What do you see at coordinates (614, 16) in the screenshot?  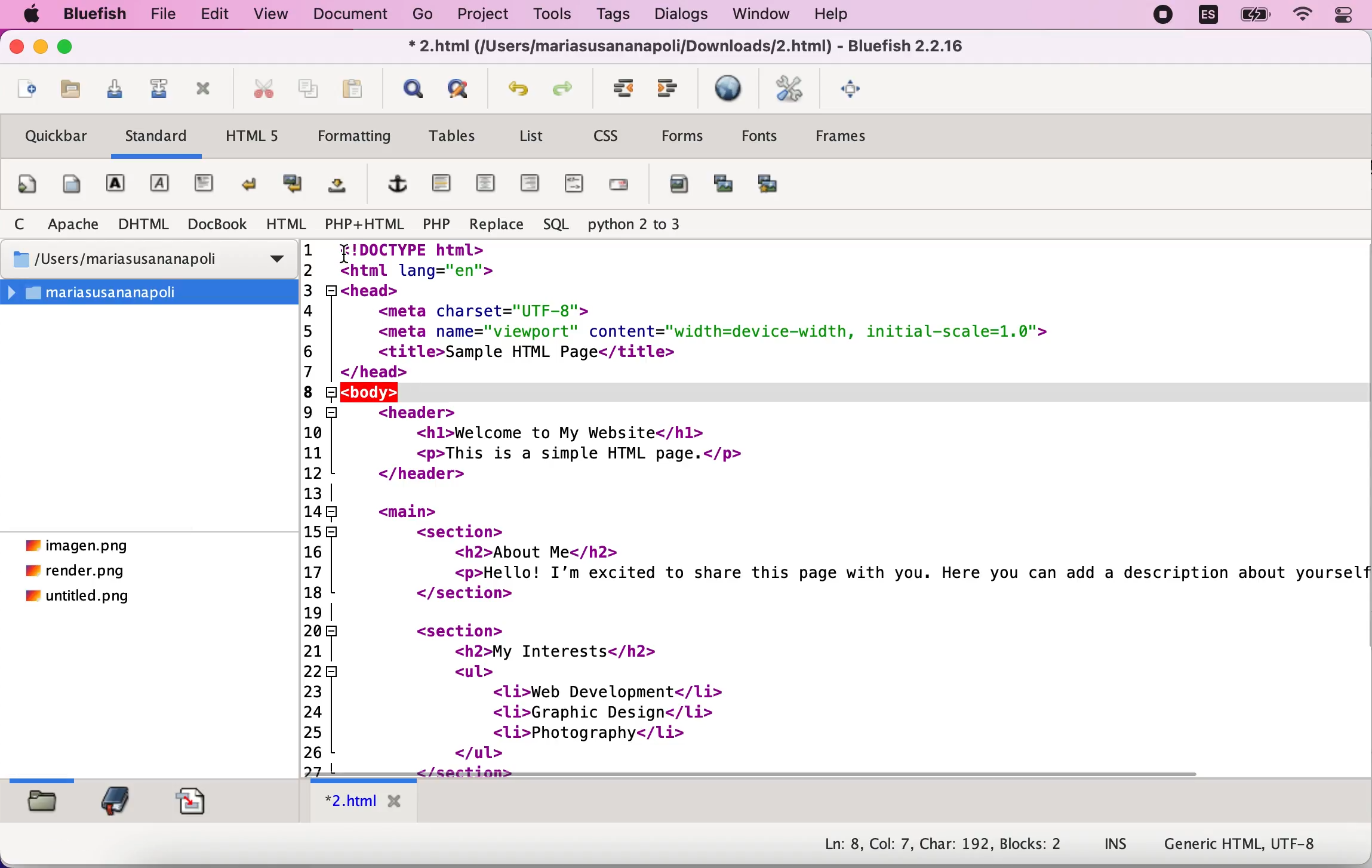 I see `tags` at bounding box center [614, 16].